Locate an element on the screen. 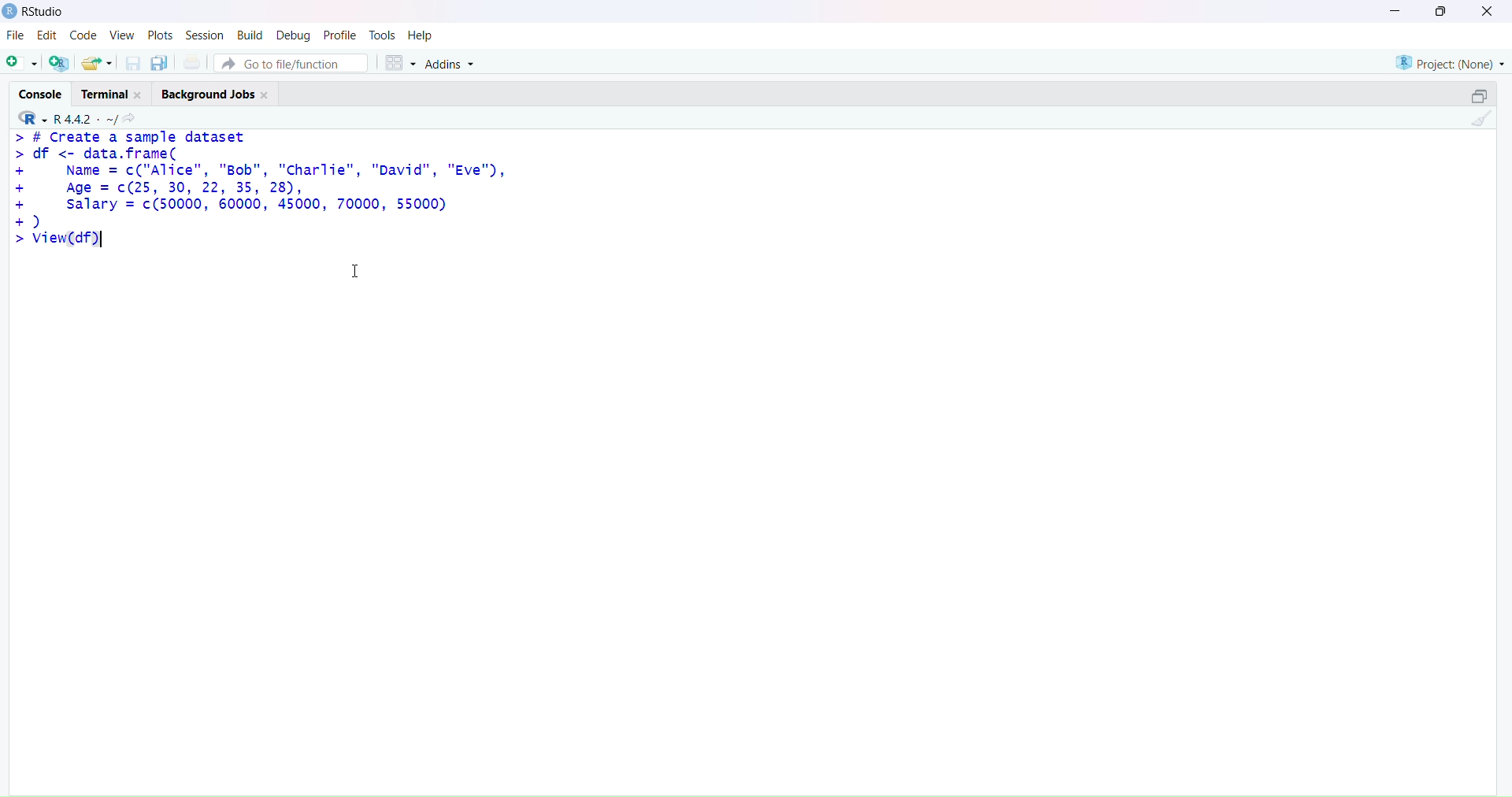  close is located at coordinates (1486, 13).